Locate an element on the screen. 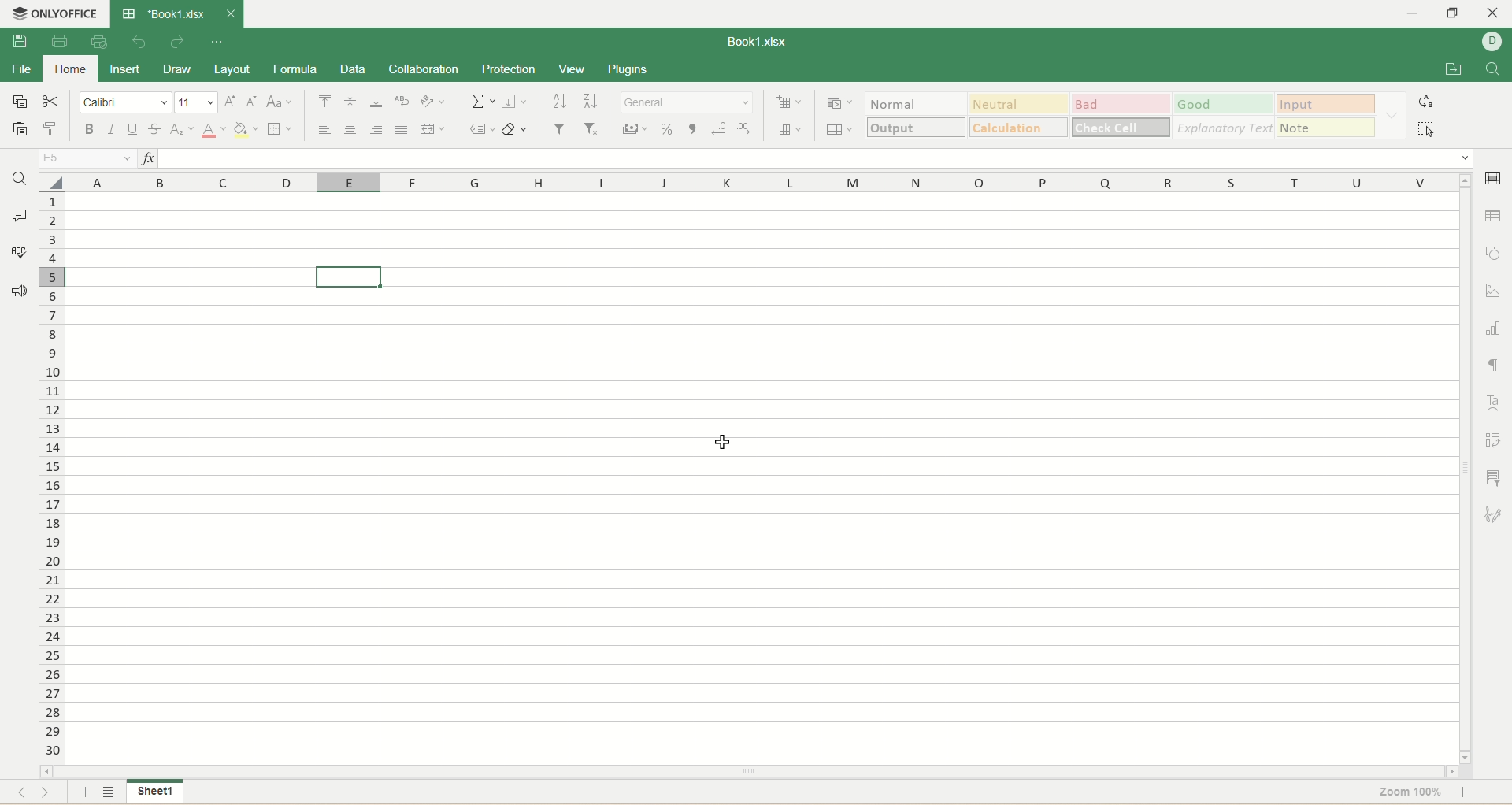  subscript is located at coordinates (184, 131).